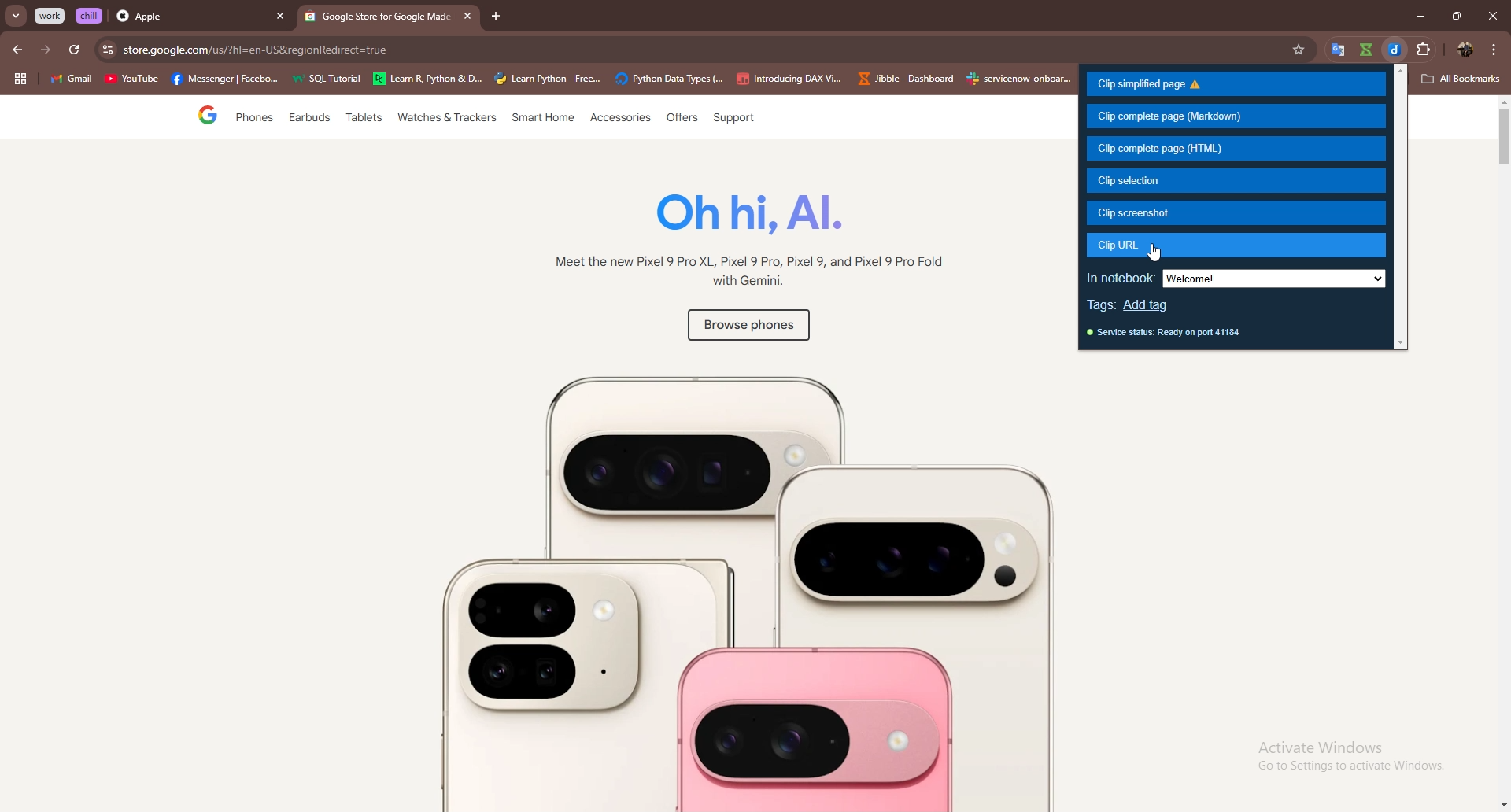 This screenshot has height=812, width=1511. Describe the element at coordinates (1169, 331) in the screenshot. I see `service status: Ready on port 41184` at that location.